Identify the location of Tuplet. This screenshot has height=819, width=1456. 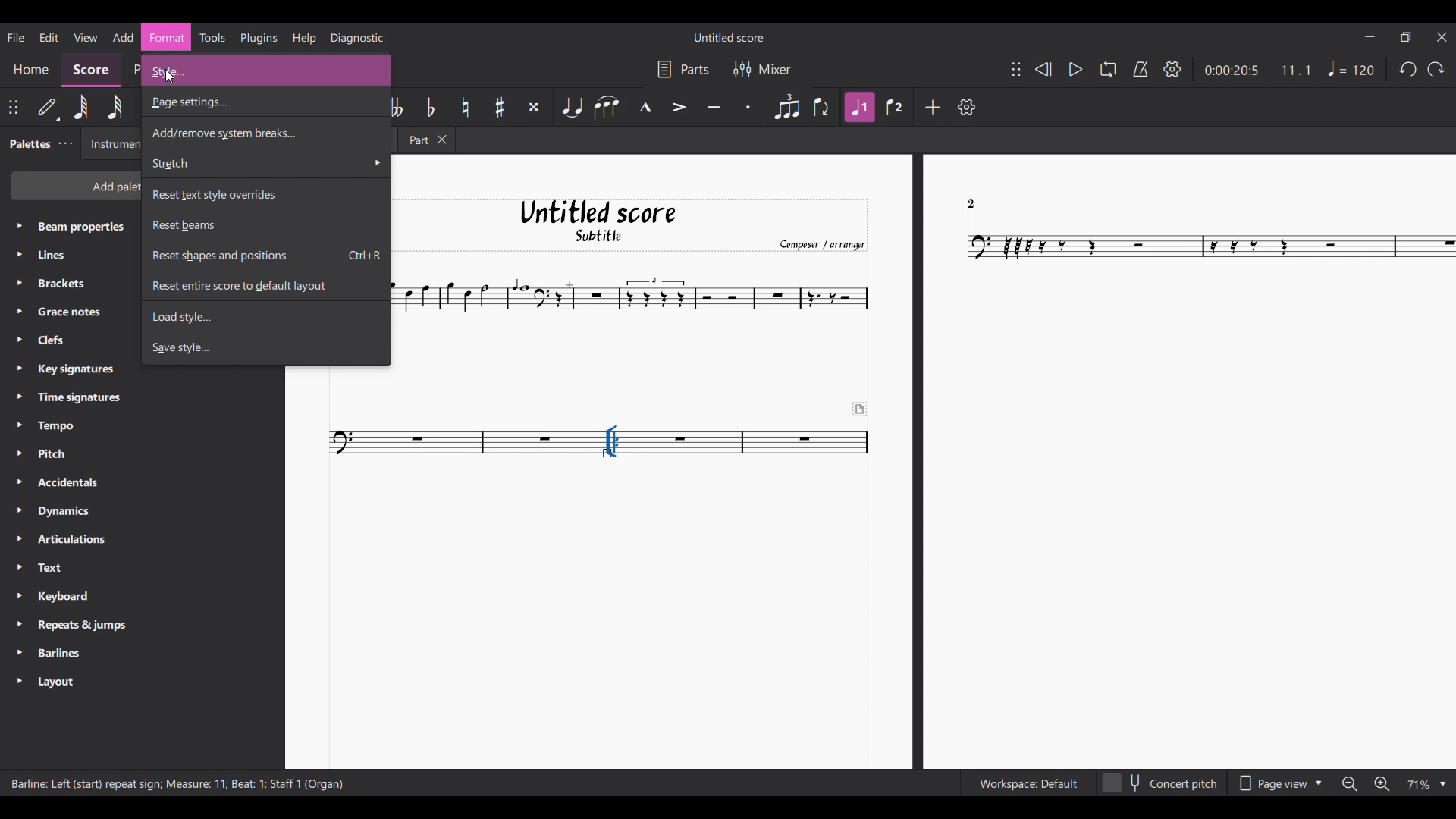
(787, 106).